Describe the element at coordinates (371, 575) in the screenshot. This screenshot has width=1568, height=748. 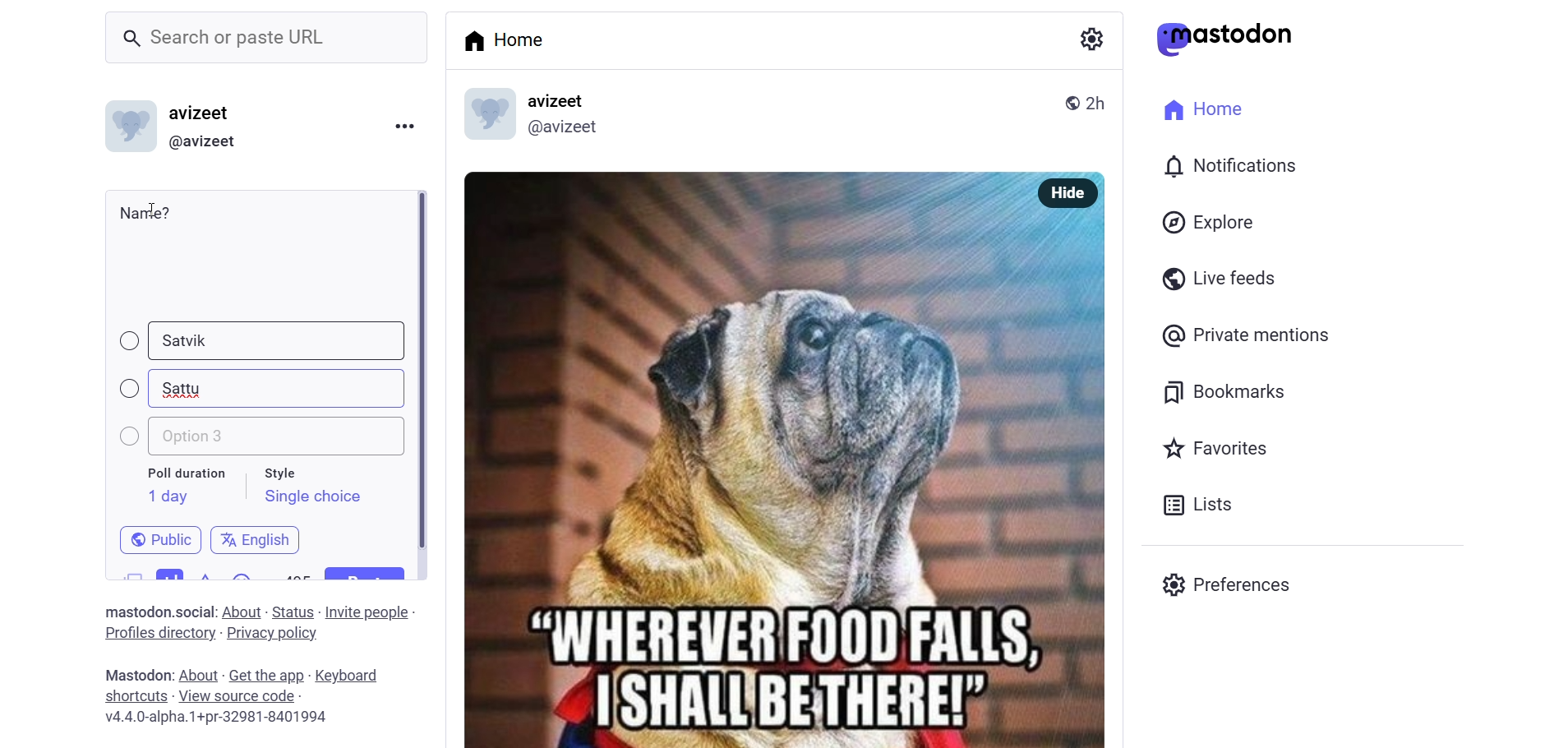
I see `post` at that location.